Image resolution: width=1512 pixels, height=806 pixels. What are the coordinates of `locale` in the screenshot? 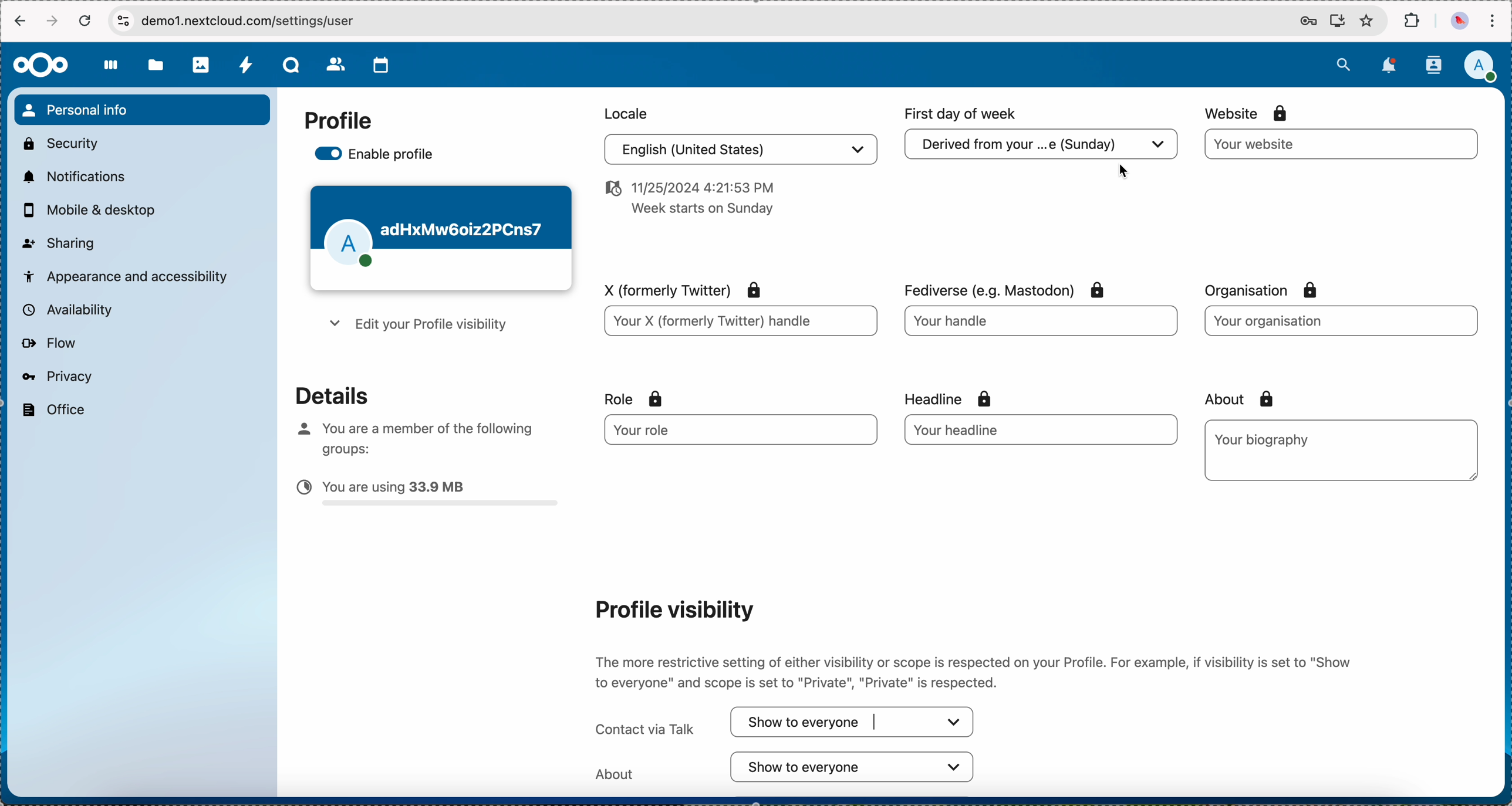 It's located at (623, 112).